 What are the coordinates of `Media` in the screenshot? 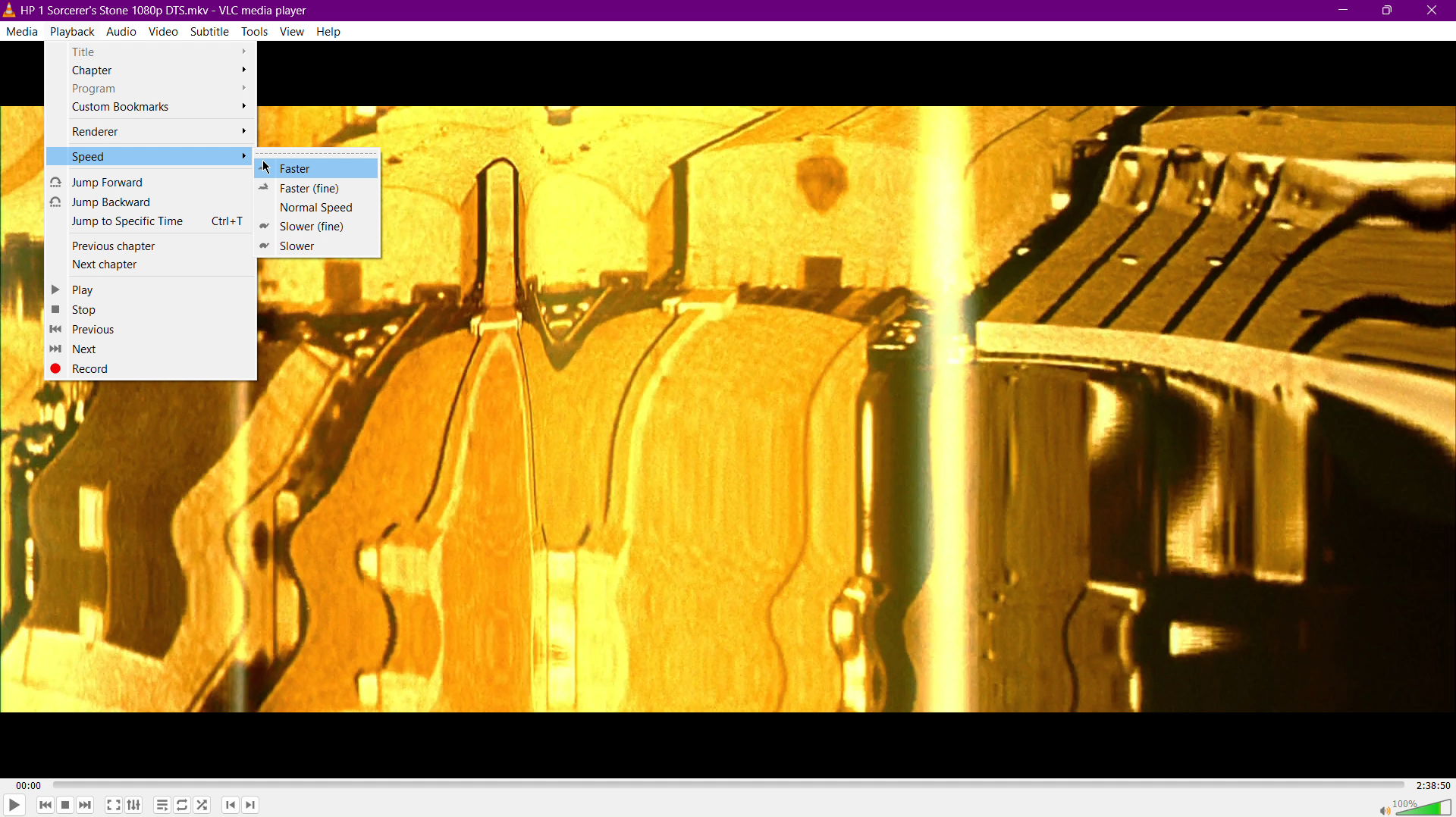 It's located at (22, 29).